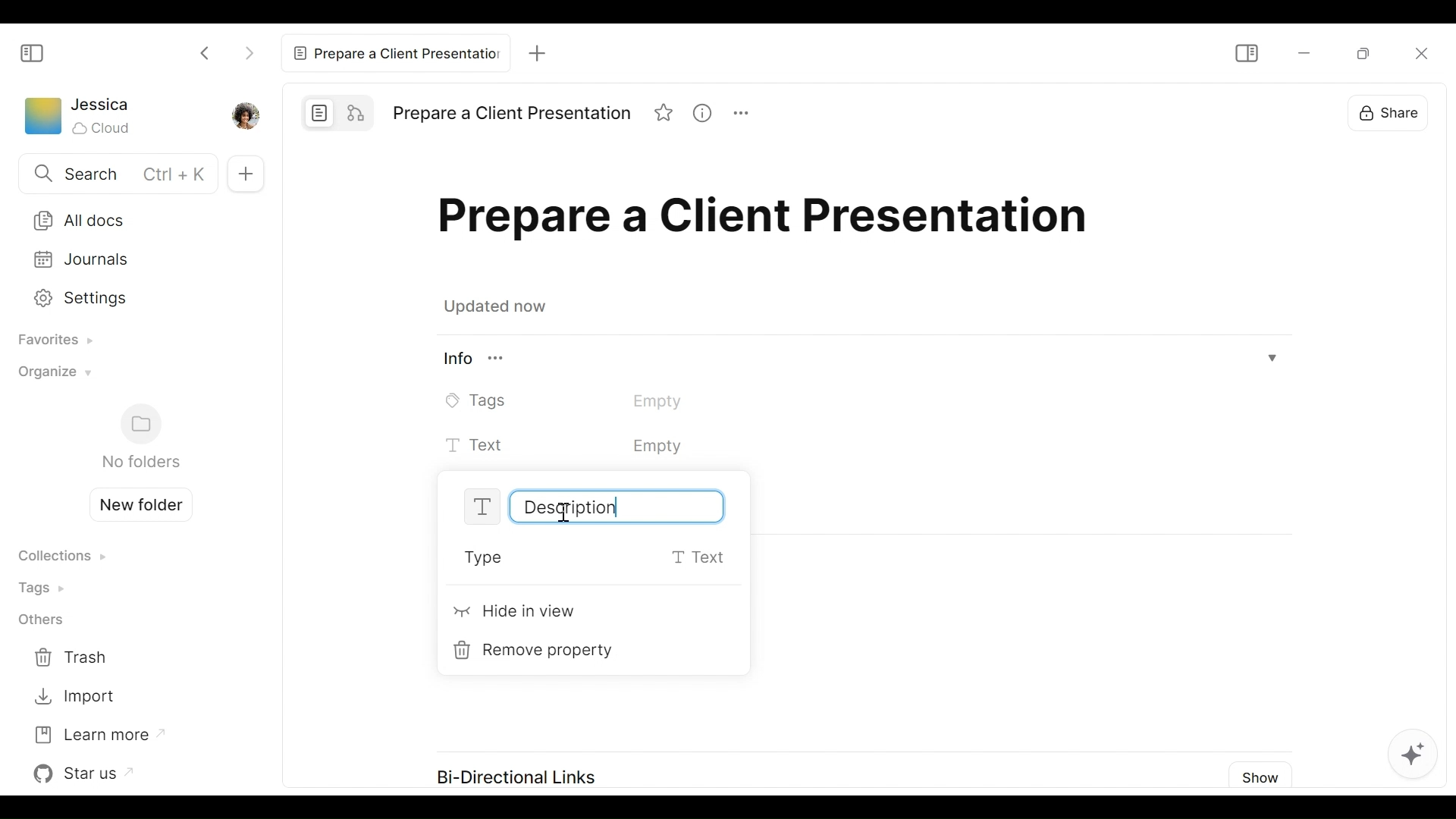 This screenshot has width=1456, height=819. I want to click on Profile picture, so click(243, 115).